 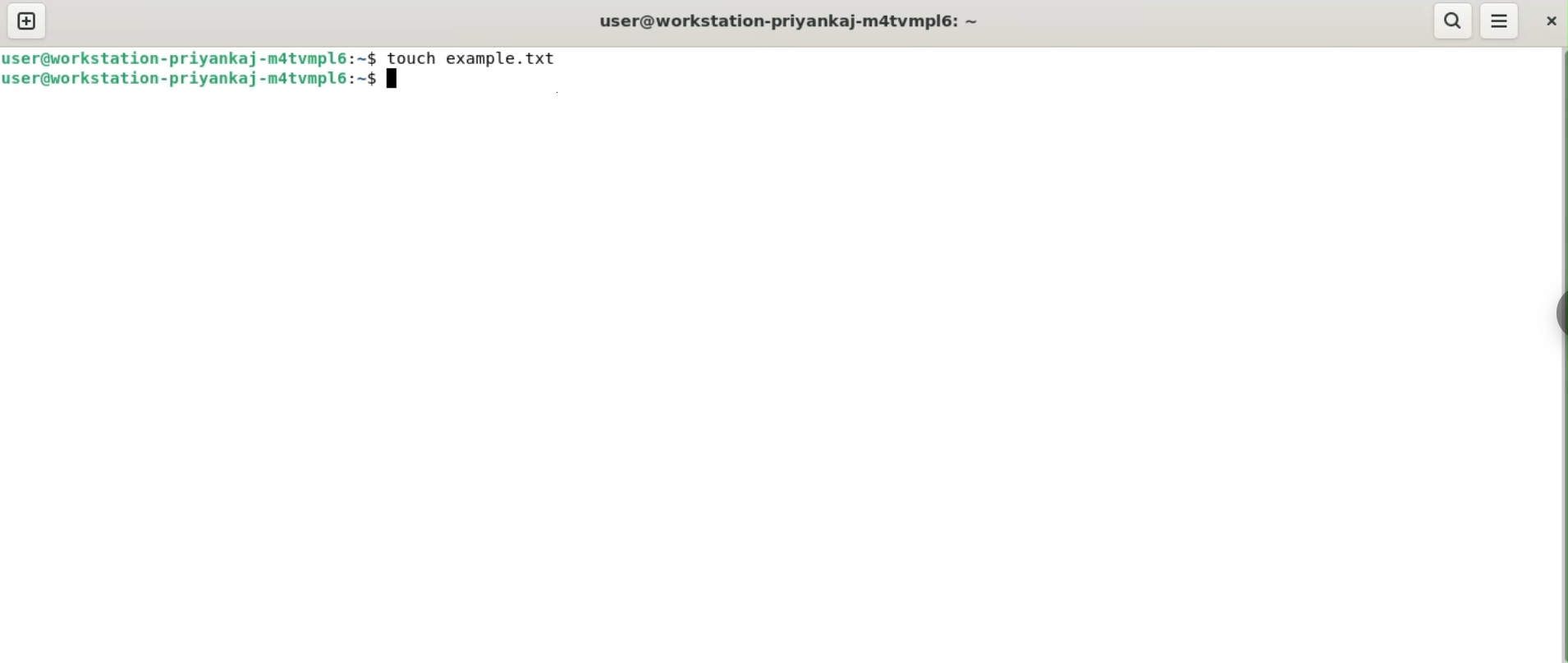 What do you see at coordinates (1549, 23) in the screenshot?
I see `close` at bounding box center [1549, 23].